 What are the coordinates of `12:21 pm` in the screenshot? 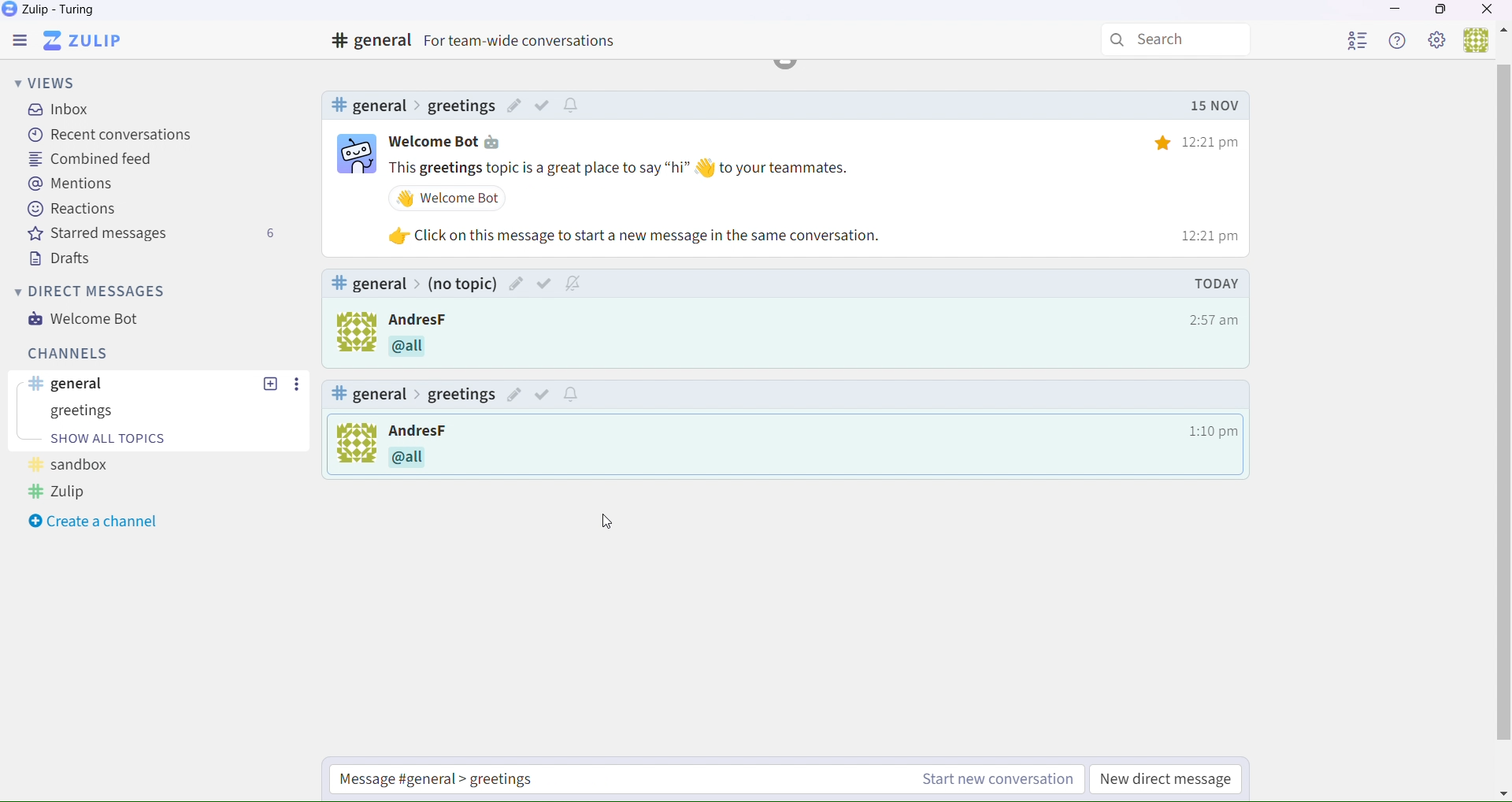 It's located at (1202, 236).